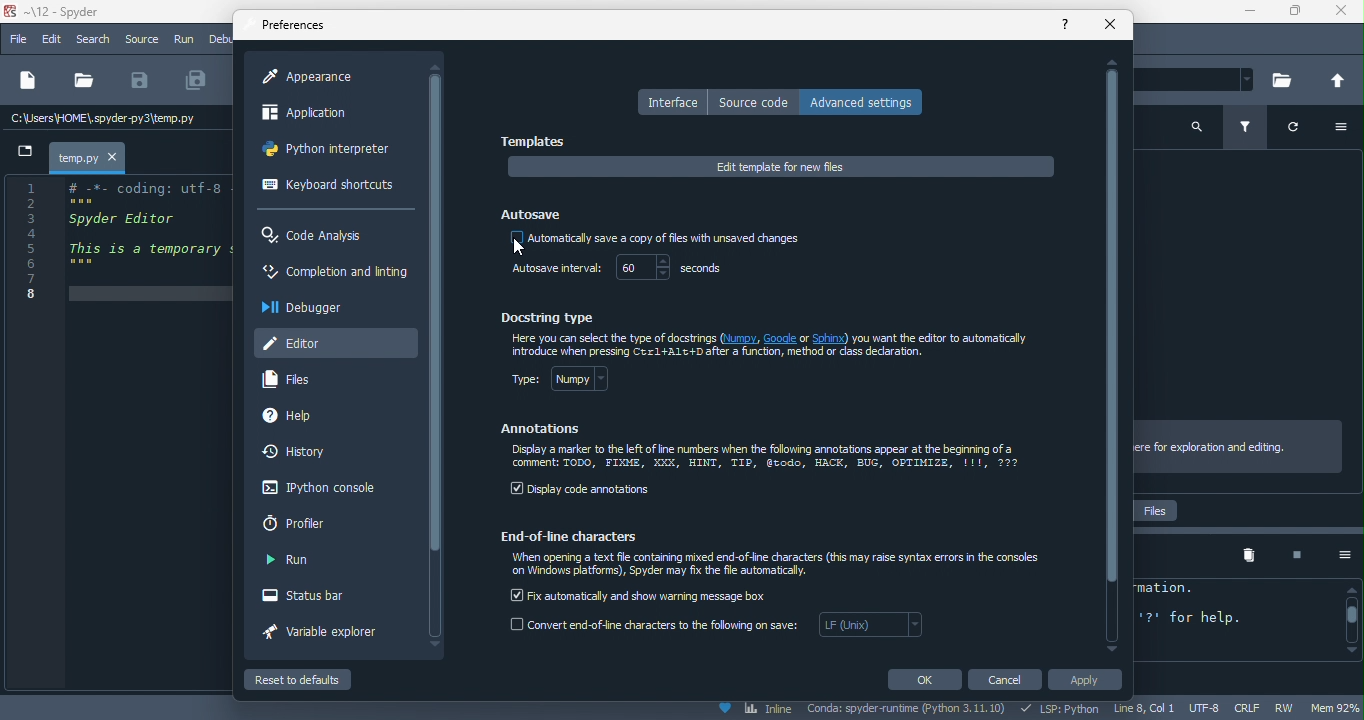 The height and width of the screenshot is (720, 1364). I want to click on vertical scroll bar, so click(1350, 620).